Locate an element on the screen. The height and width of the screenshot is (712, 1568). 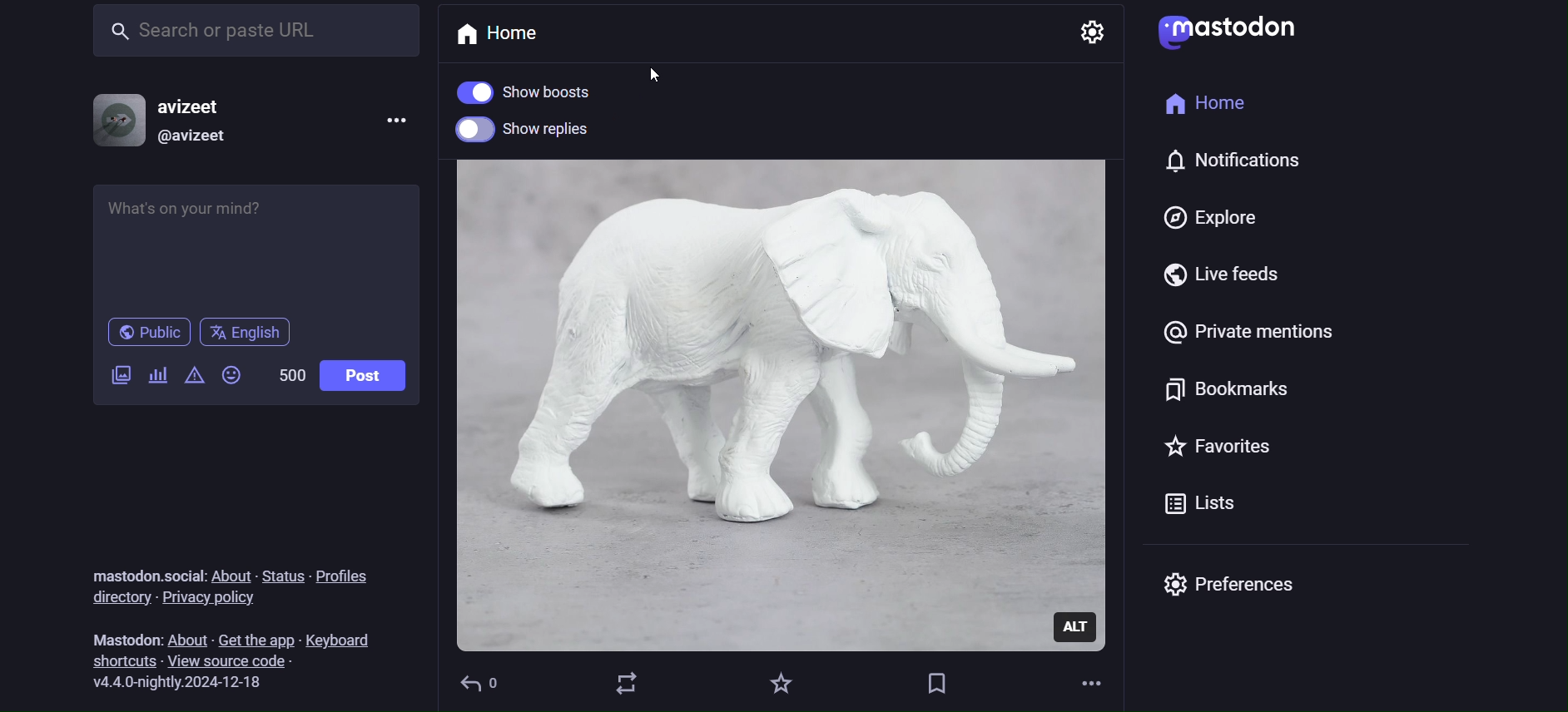
display picture is located at coordinates (107, 120).